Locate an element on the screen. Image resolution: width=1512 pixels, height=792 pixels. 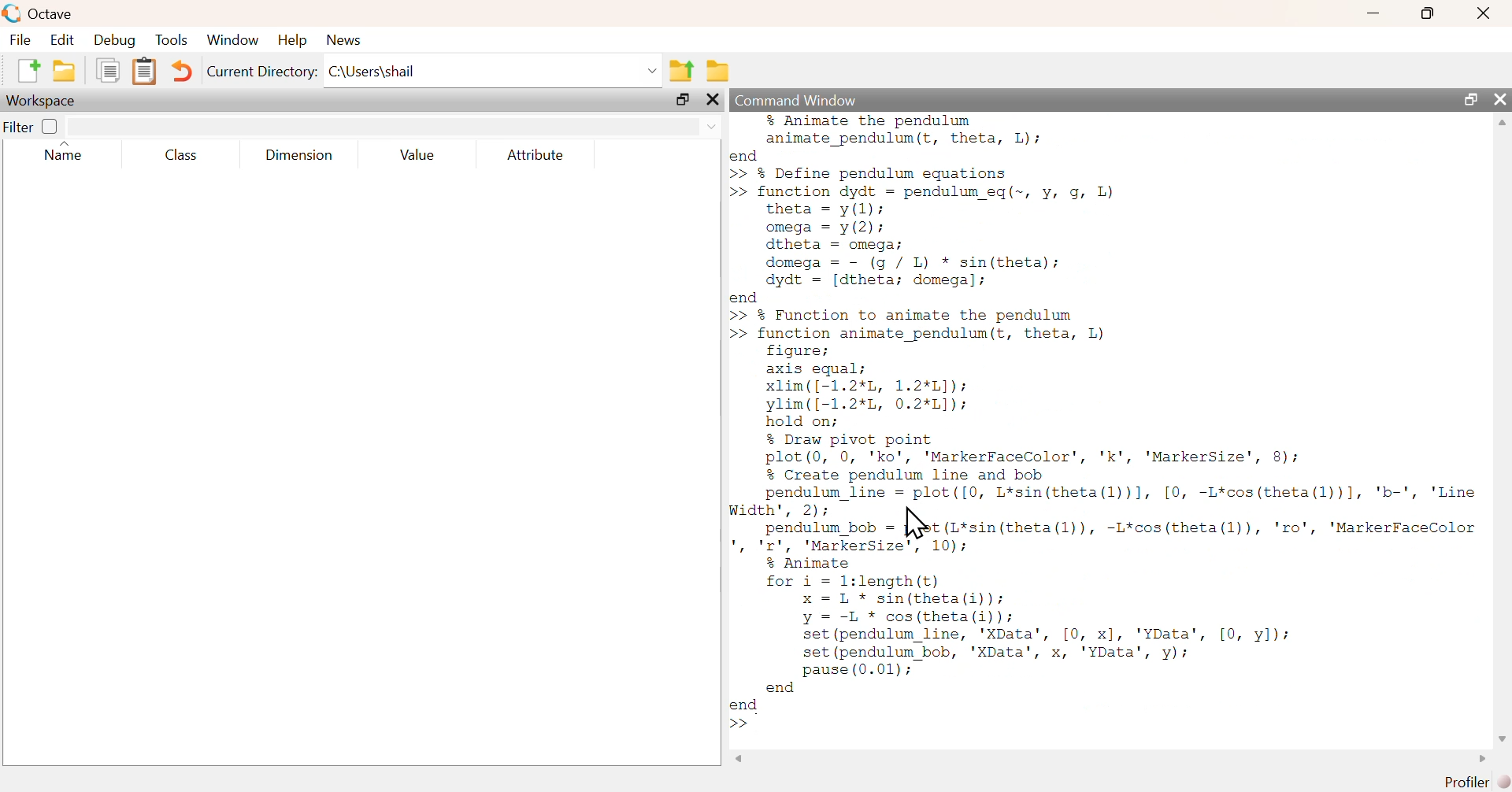
Undo is located at coordinates (183, 73).